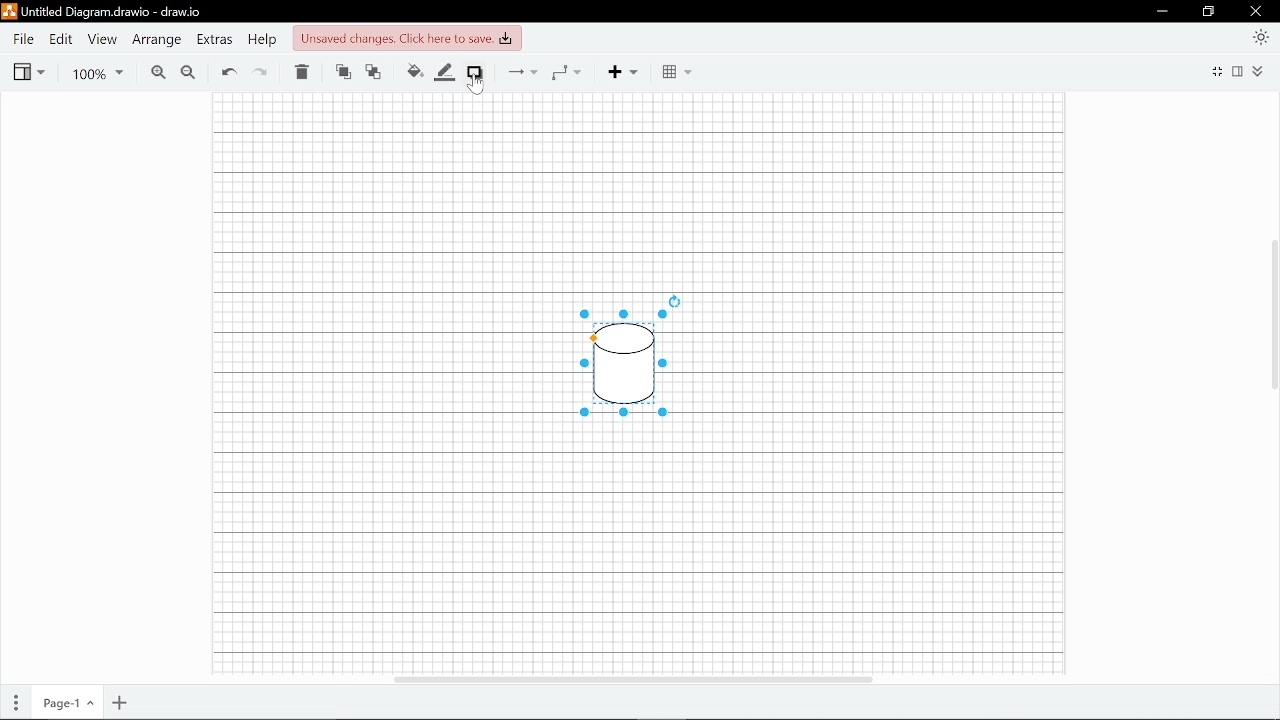 The height and width of the screenshot is (720, 1280). What do you see at coordinates (16, 701) in the screenshot?
I see `Pages` at bounding box center [16, 701].